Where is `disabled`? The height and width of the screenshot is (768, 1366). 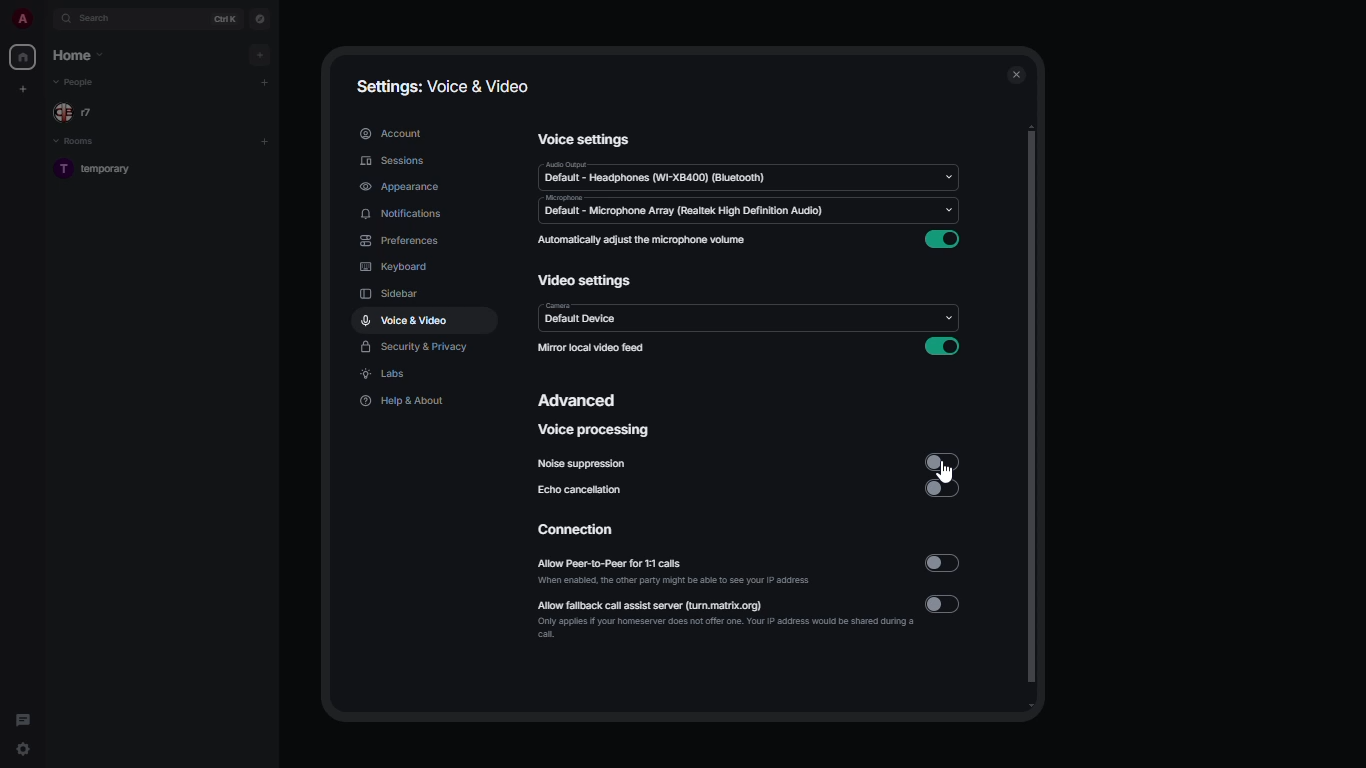 disabled is located at coordinates (943, 487).